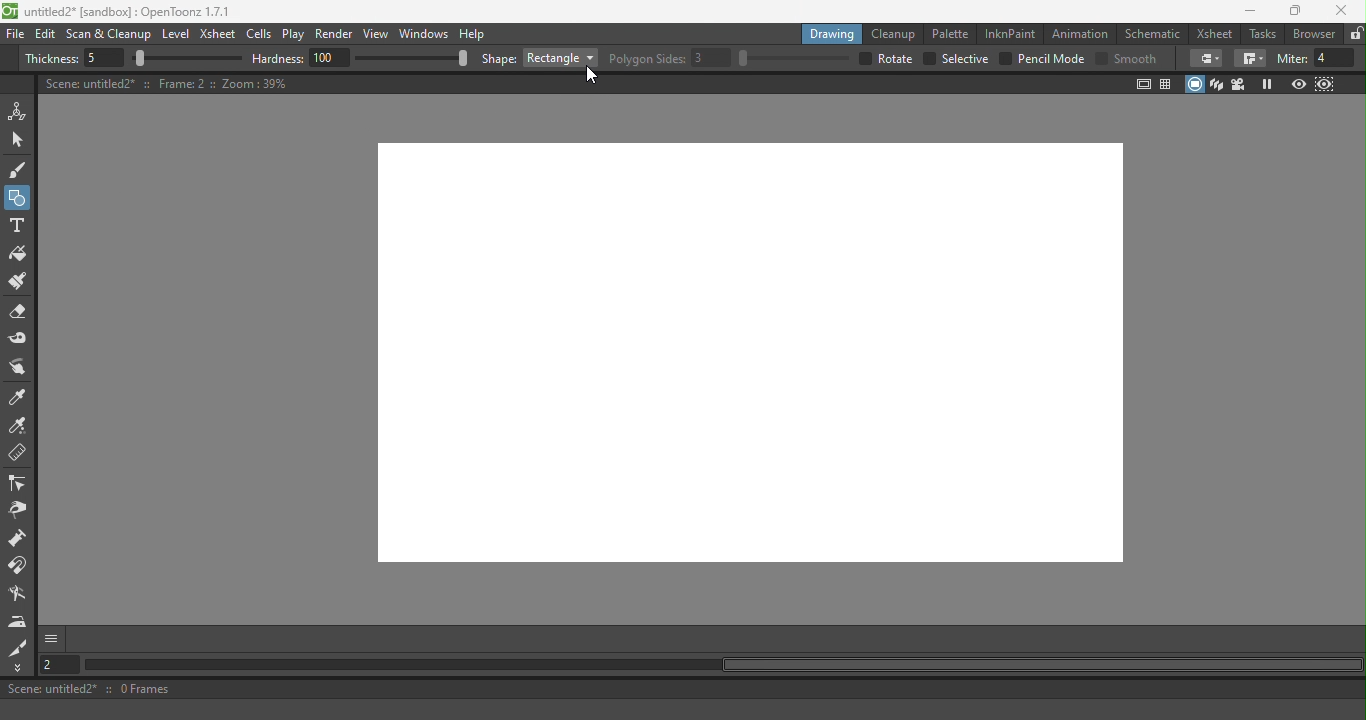 The image size is (1366, 720). What do you see at coordinates (22, 254) in the screenshot?
I see `Fill tool` at bounding box center [22, 254].